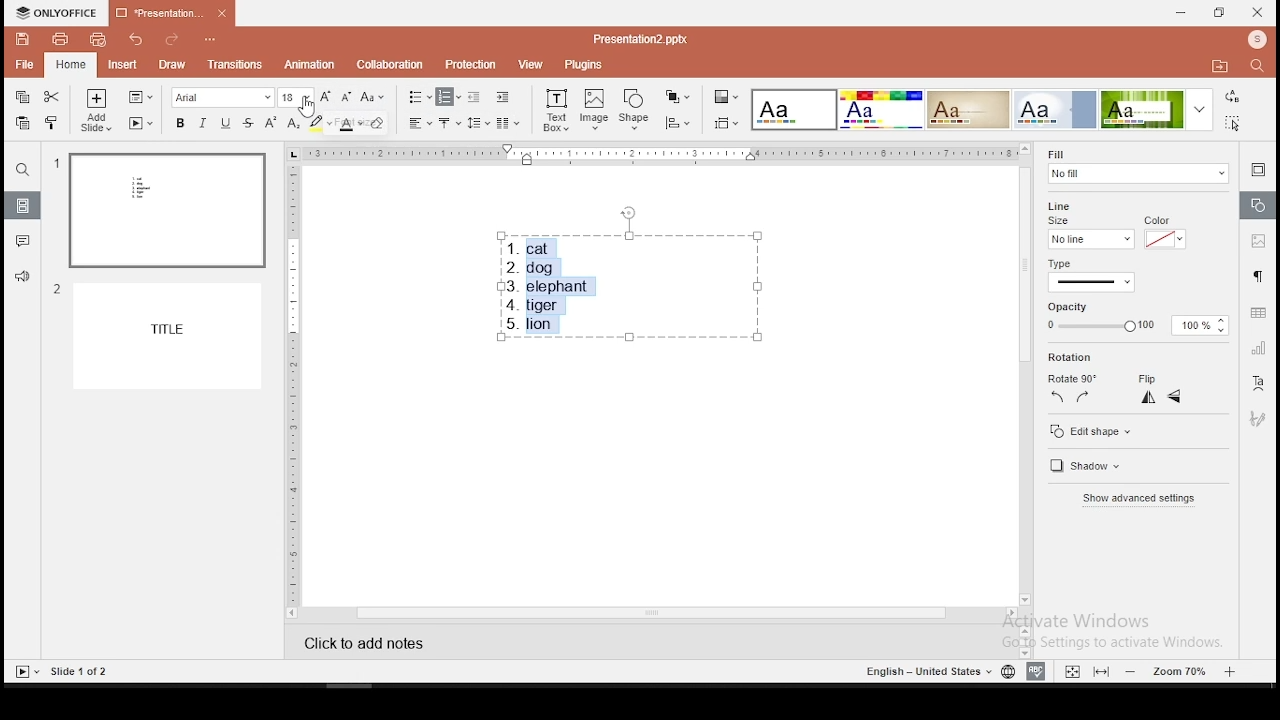 The height and width of the screenshot is (720, 1280). Describe the element at coordinates (478, 123) in the screenshot. I see `spacing` at that location.